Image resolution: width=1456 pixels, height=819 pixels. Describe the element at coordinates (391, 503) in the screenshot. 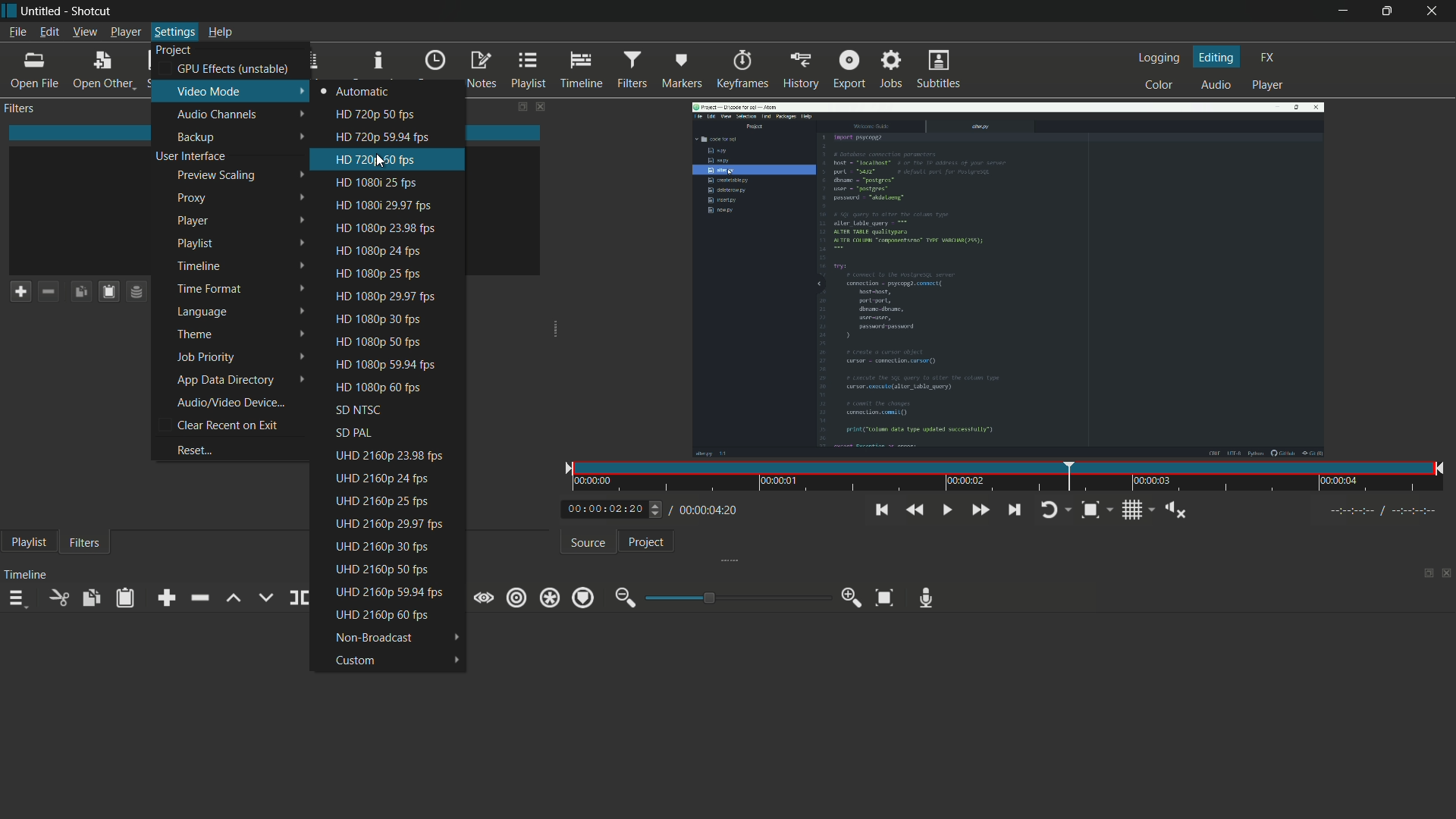

I see `uhd 2160p 25 fps` at that location.